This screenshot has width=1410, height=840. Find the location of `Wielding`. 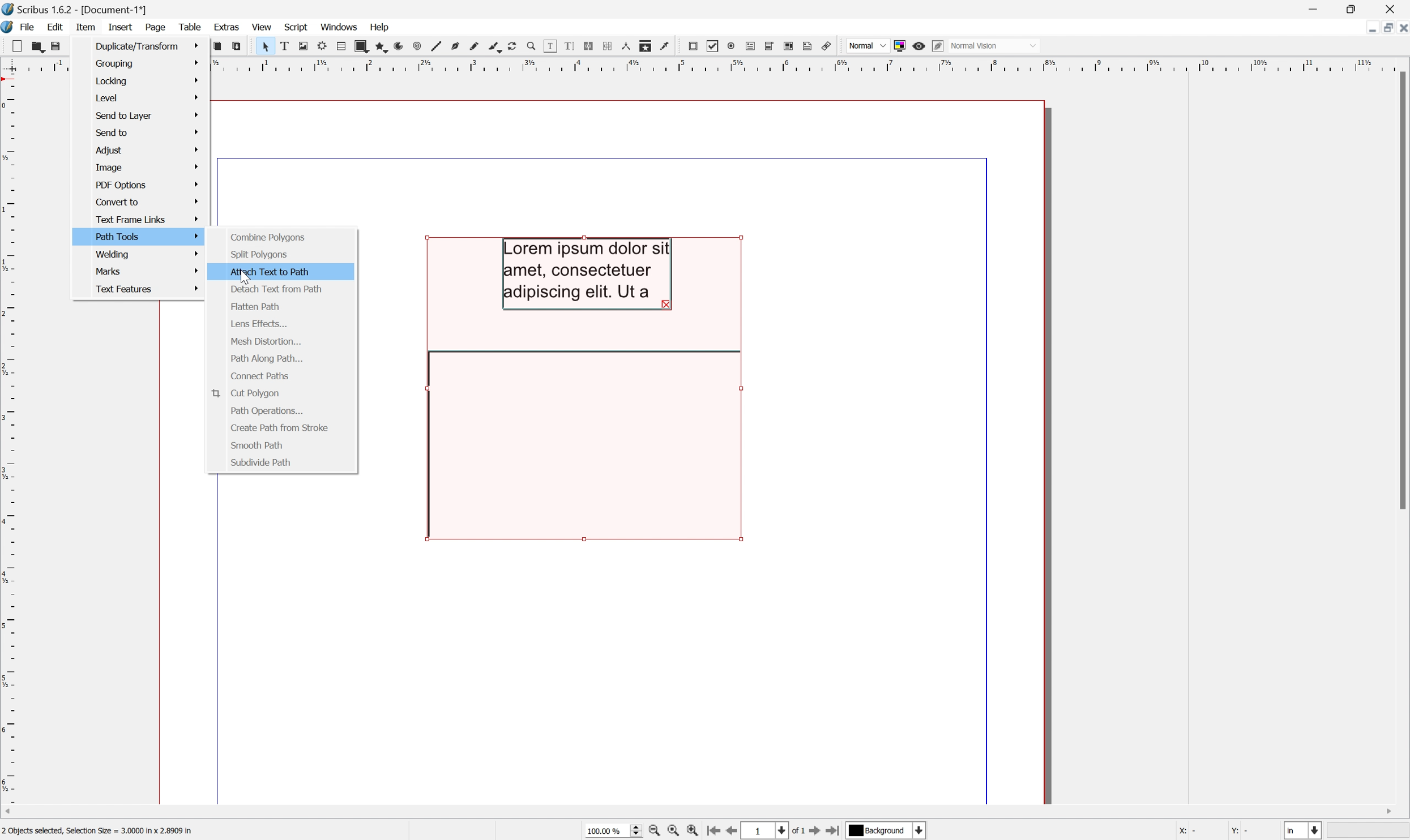

Wielding is located at coordinates (149, 255).